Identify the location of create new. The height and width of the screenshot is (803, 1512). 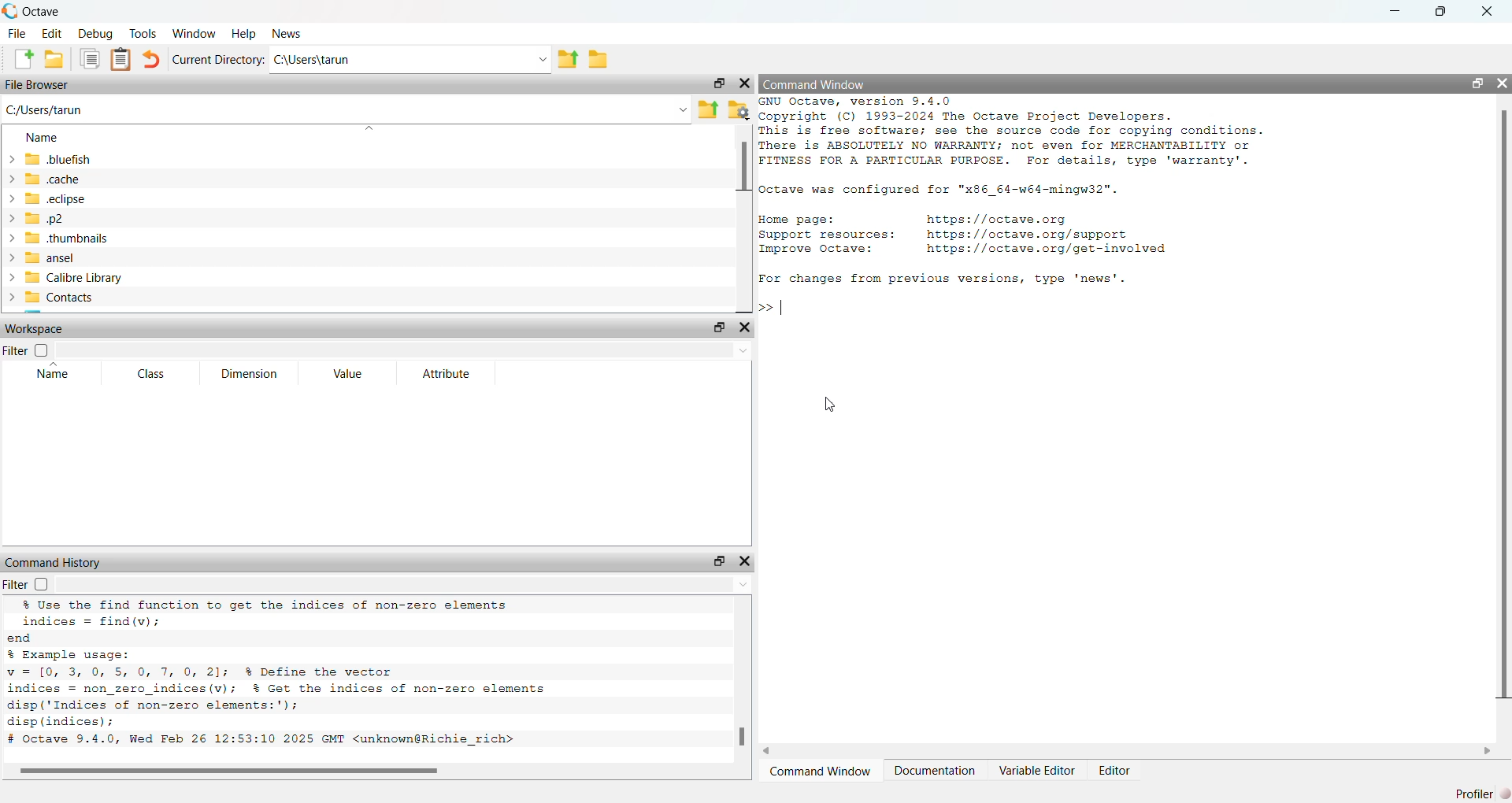
(20, 61).